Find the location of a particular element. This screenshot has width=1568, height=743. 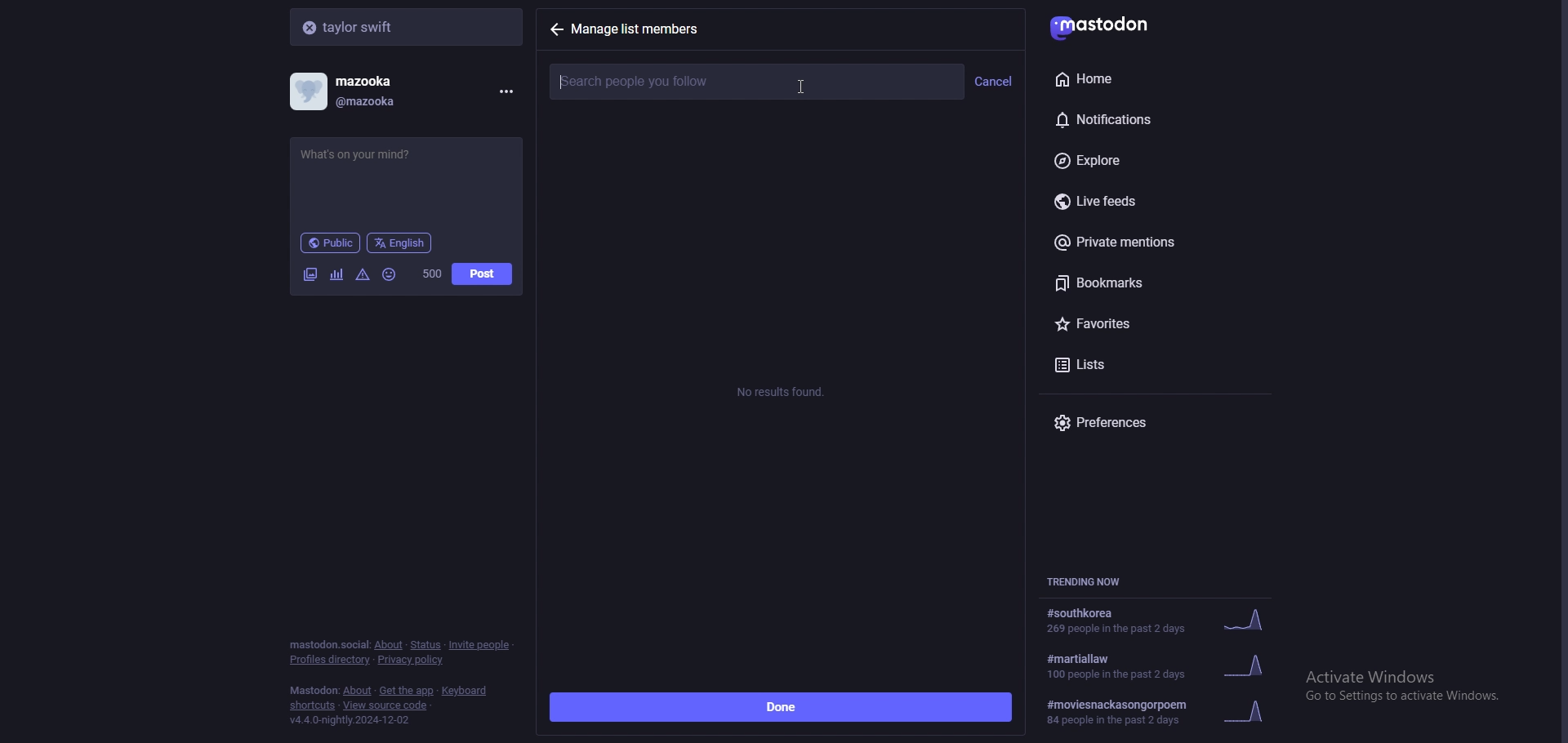

word limit is located at coordinates (430, 274).